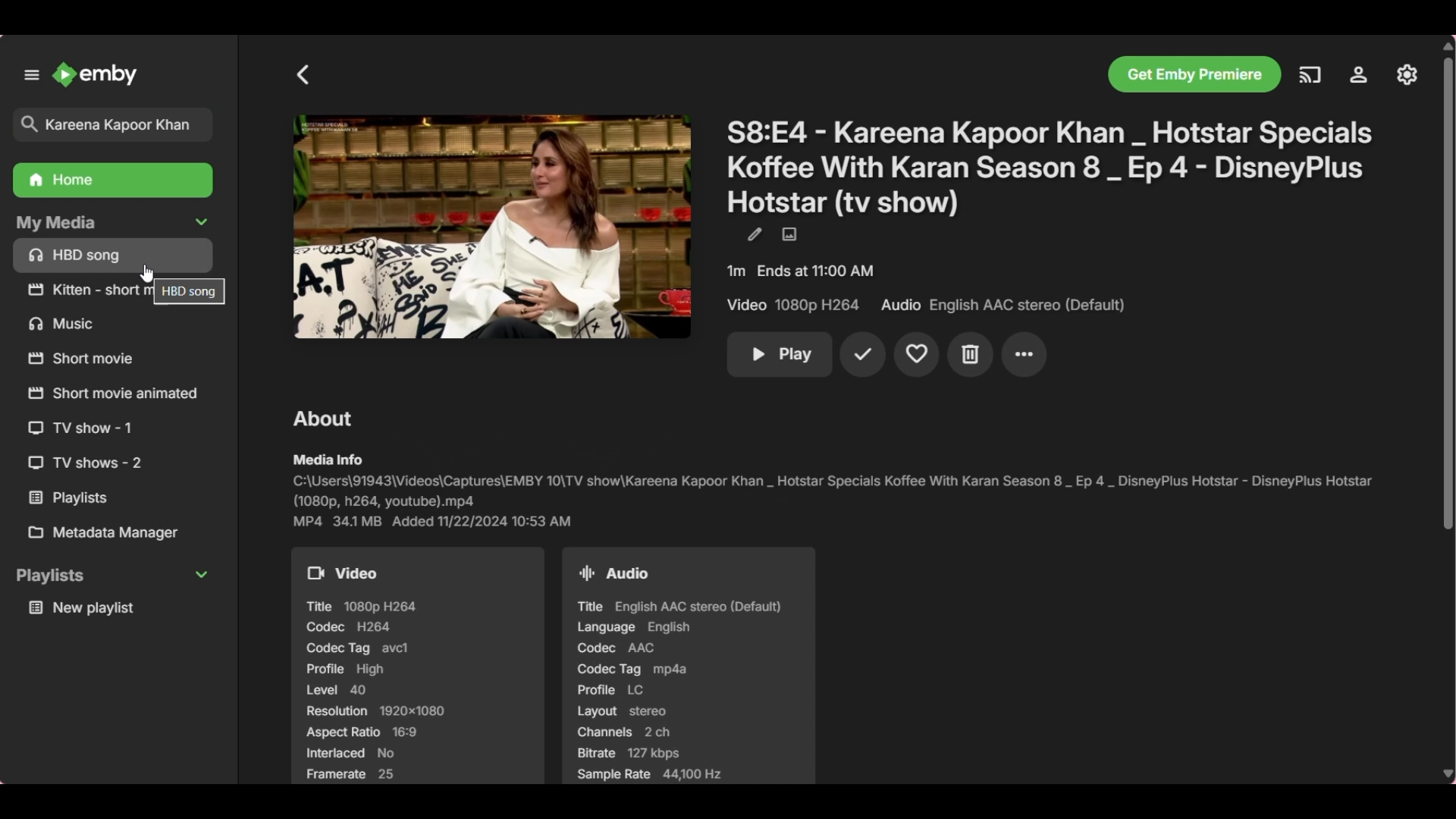 The width and height of the screenshot is (1456, 819). Describe the element at coordinates (113, 180) in the screenshot. I see `Home folder, highlighted` at that location.